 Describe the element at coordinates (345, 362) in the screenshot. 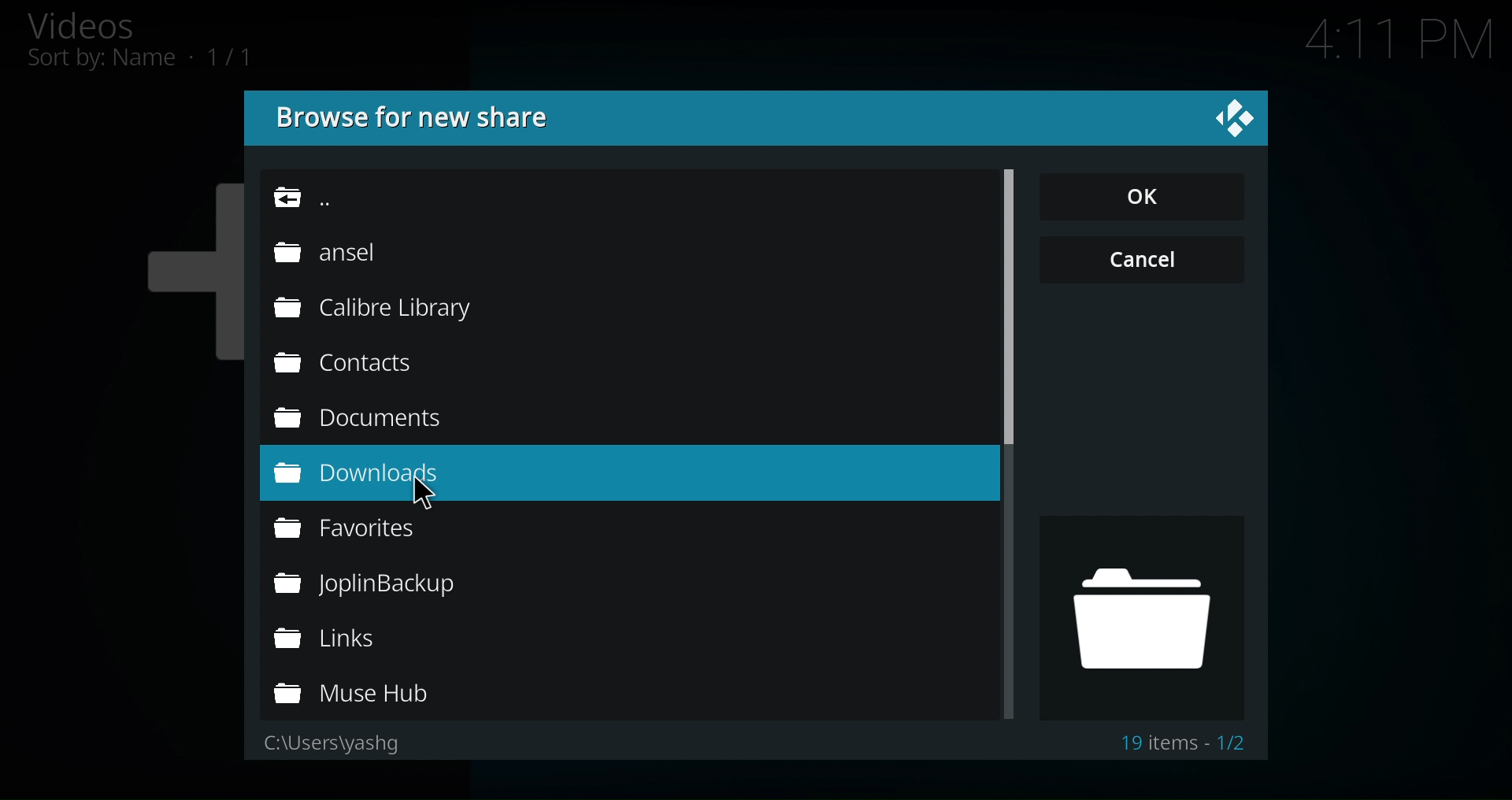

I see `Contacts` at that location.